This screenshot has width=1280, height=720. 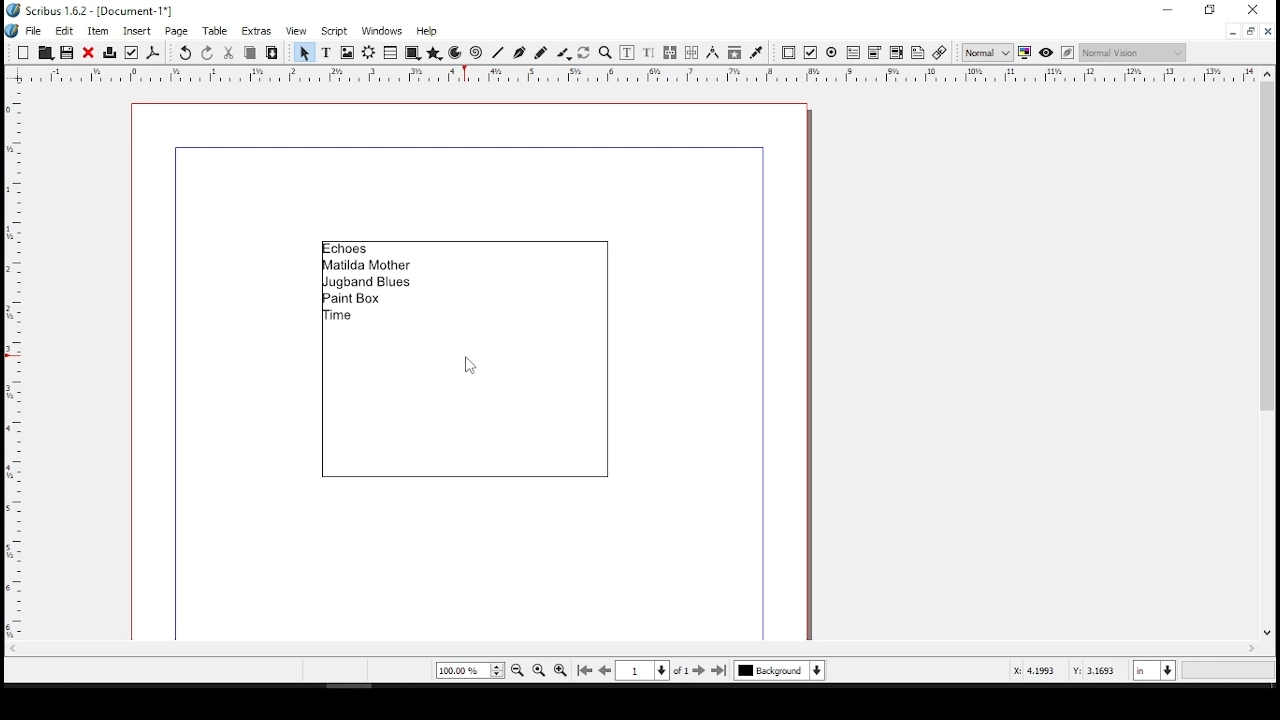 What do you see at coordinates (343, 316) in the screenshot?
I see `time` at bounding box center [343, 316].